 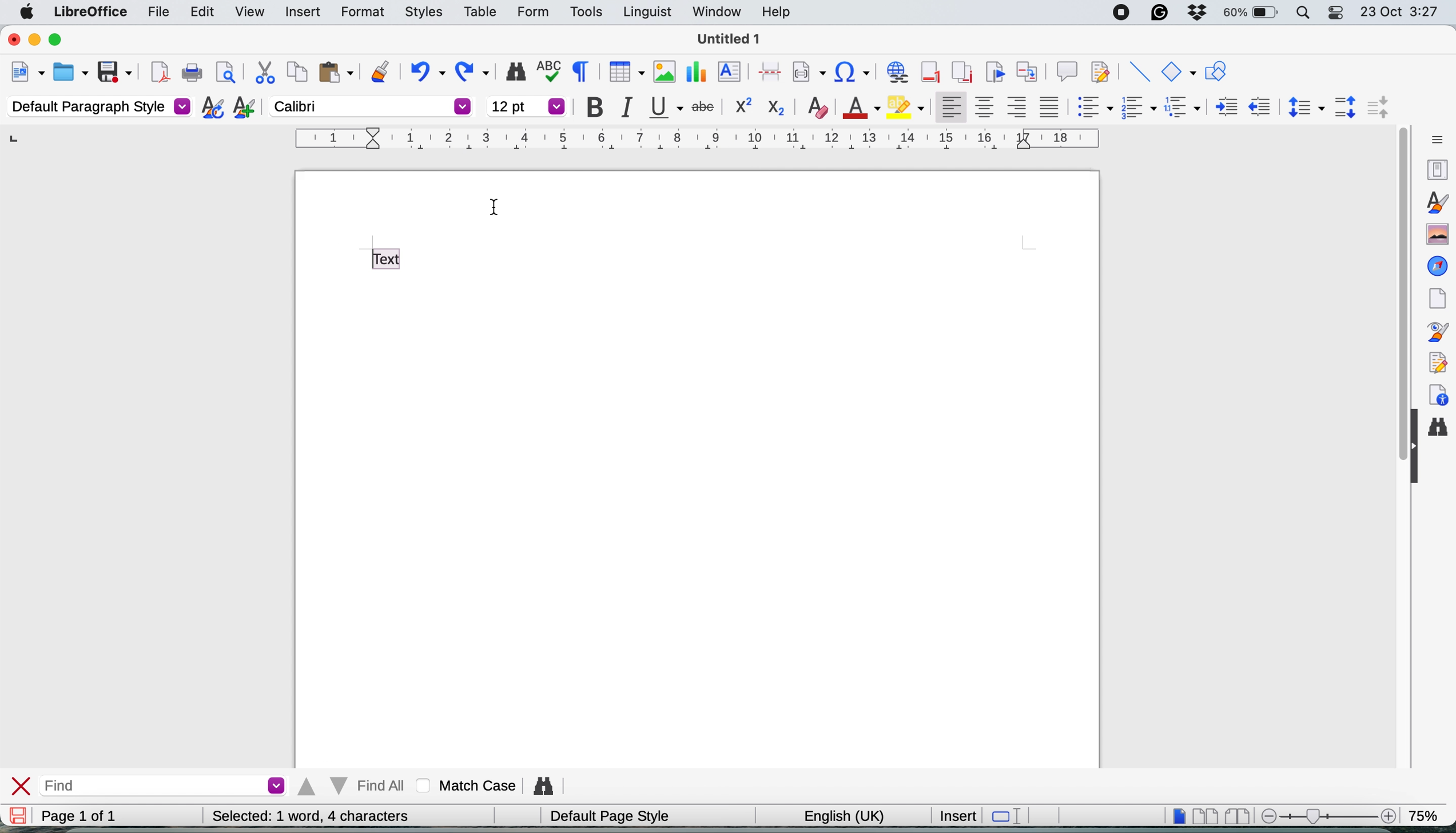 What do you see at coordinates (88, 14) in the screenshot?
I see `libreoffice` at bounding box center [88, 14].